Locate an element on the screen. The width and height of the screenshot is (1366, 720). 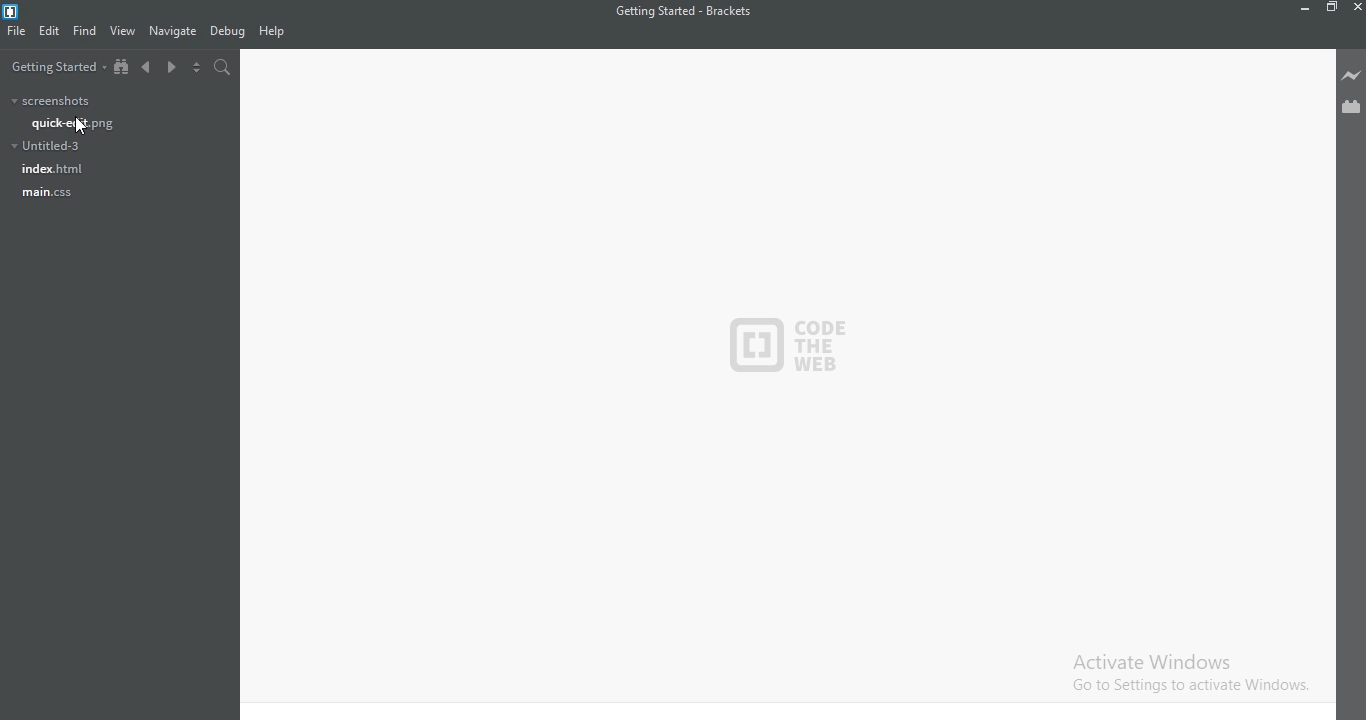
file is located at coordinates (18, 33).